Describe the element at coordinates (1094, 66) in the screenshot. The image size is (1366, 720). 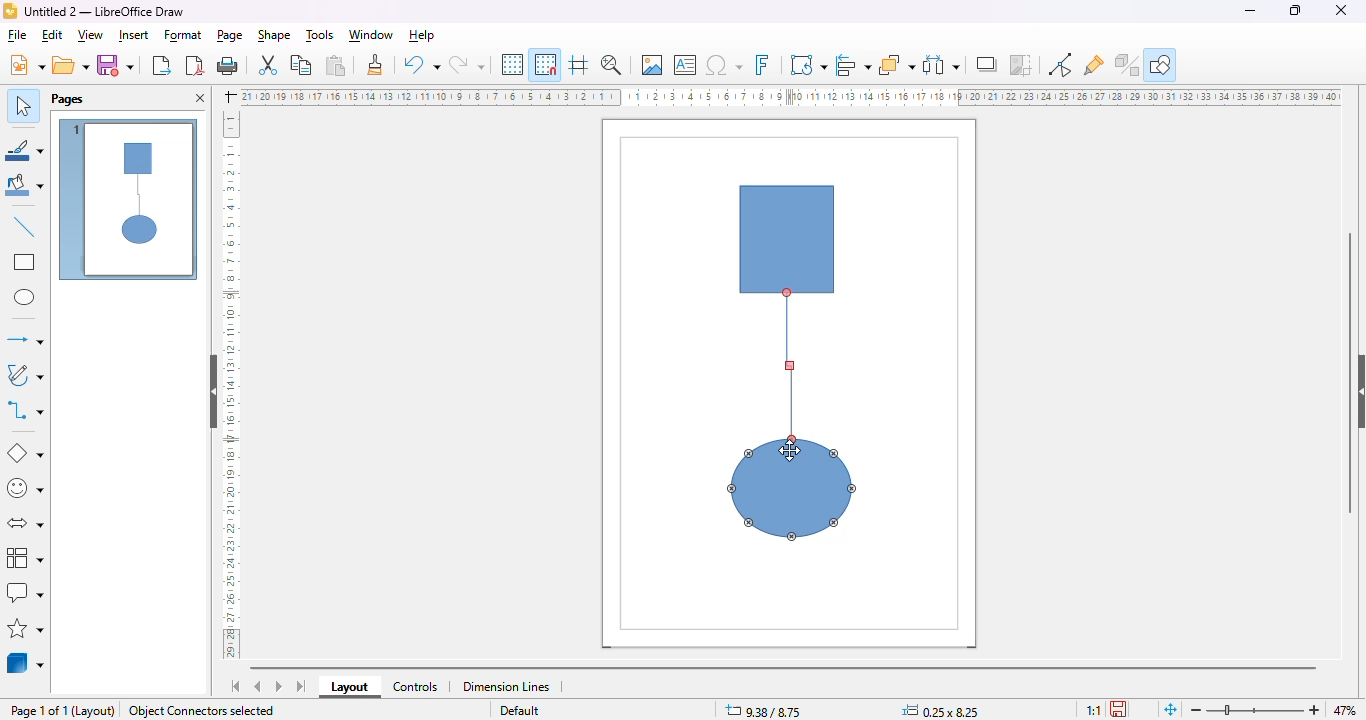
I see `show gluepoint functions` at that location.